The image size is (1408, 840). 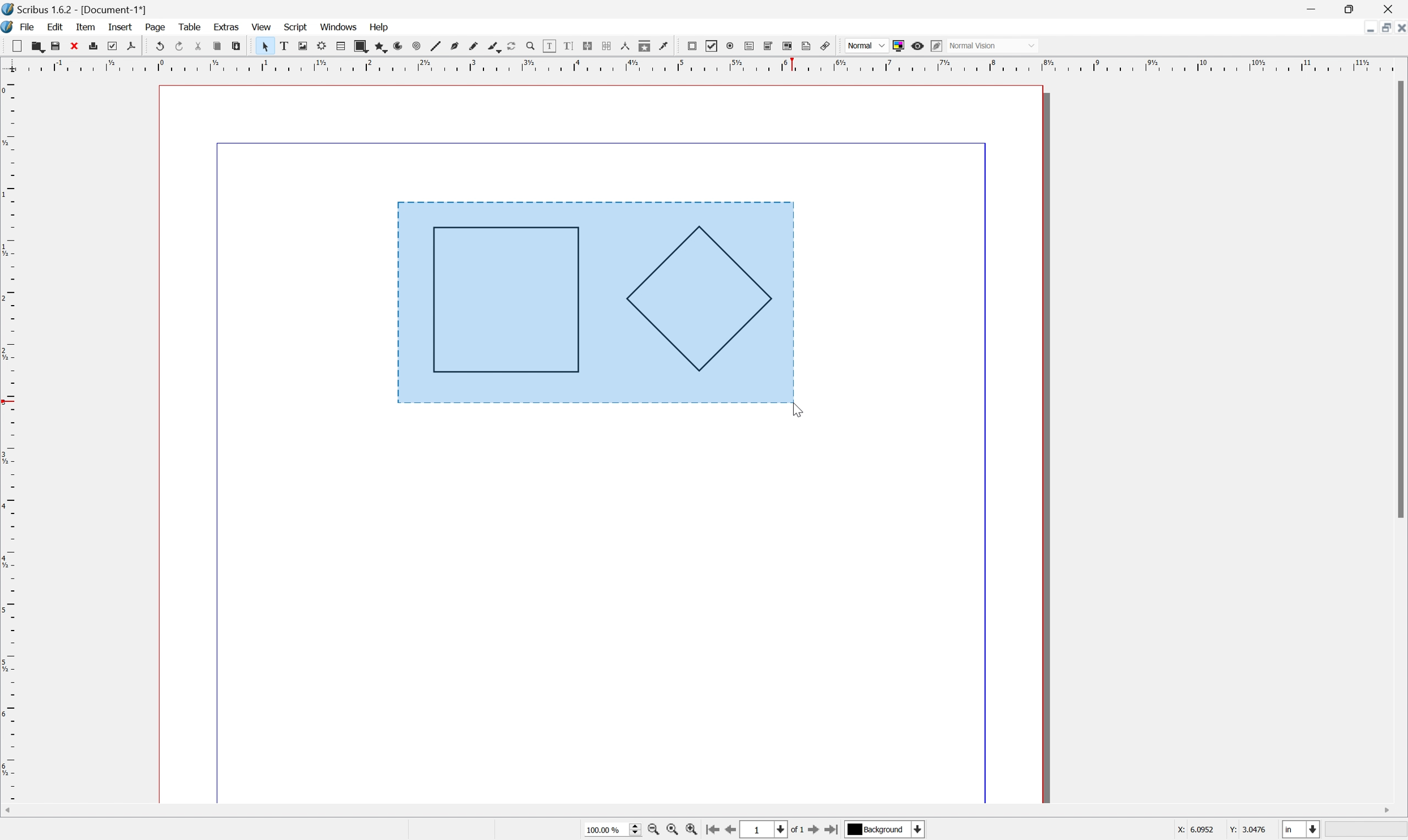 What do you see at coordinates (527, 46) in the screenshot?
I see `zoom in or zoom out` at bounding box center [527, 46].